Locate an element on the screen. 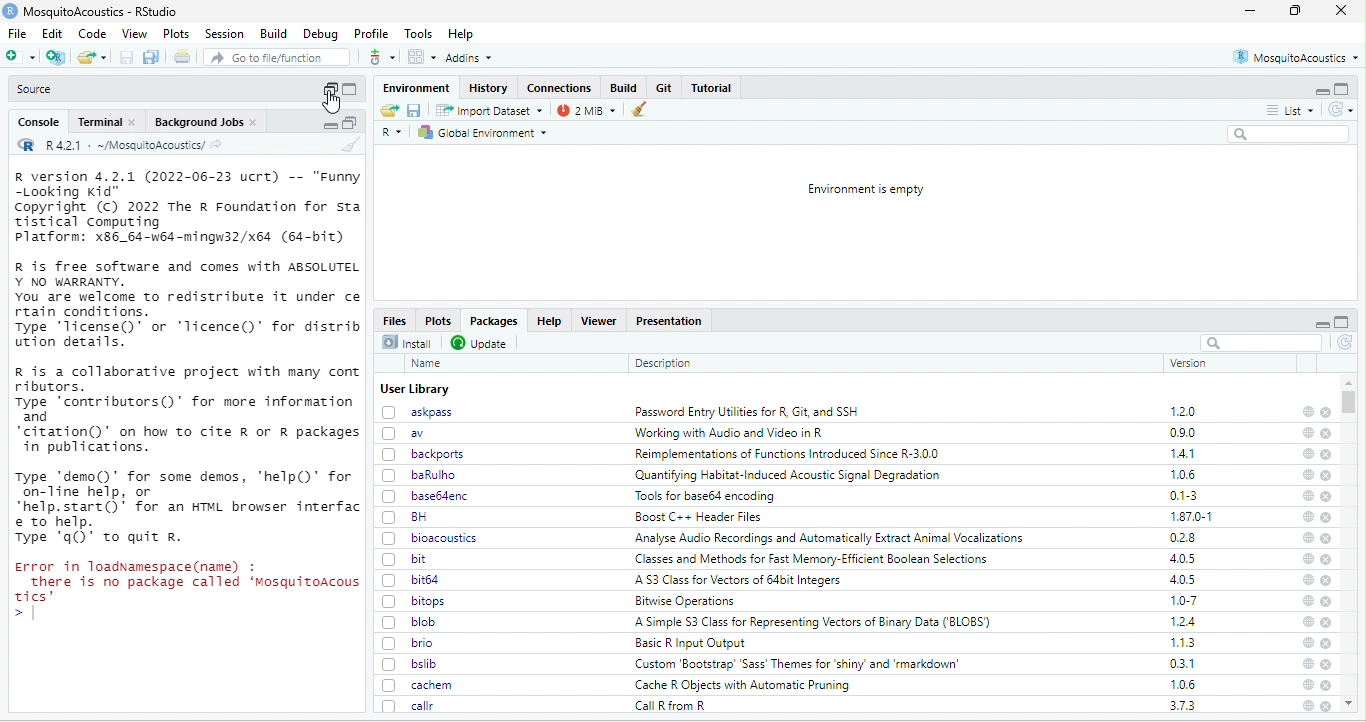  help is located at coordinates (1309, 411).